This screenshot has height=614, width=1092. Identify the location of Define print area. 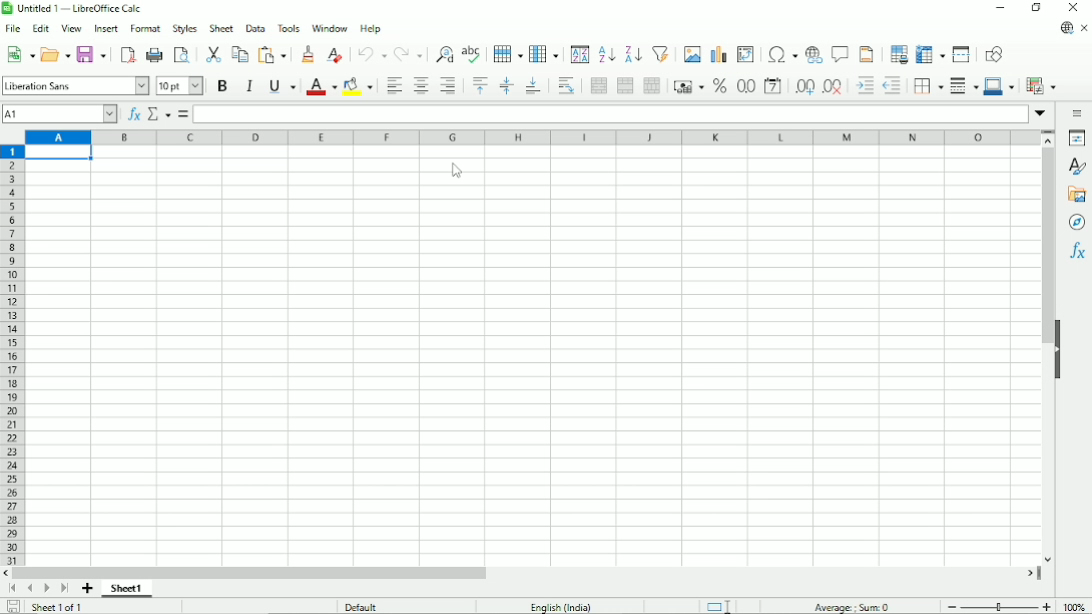
(898, 53).